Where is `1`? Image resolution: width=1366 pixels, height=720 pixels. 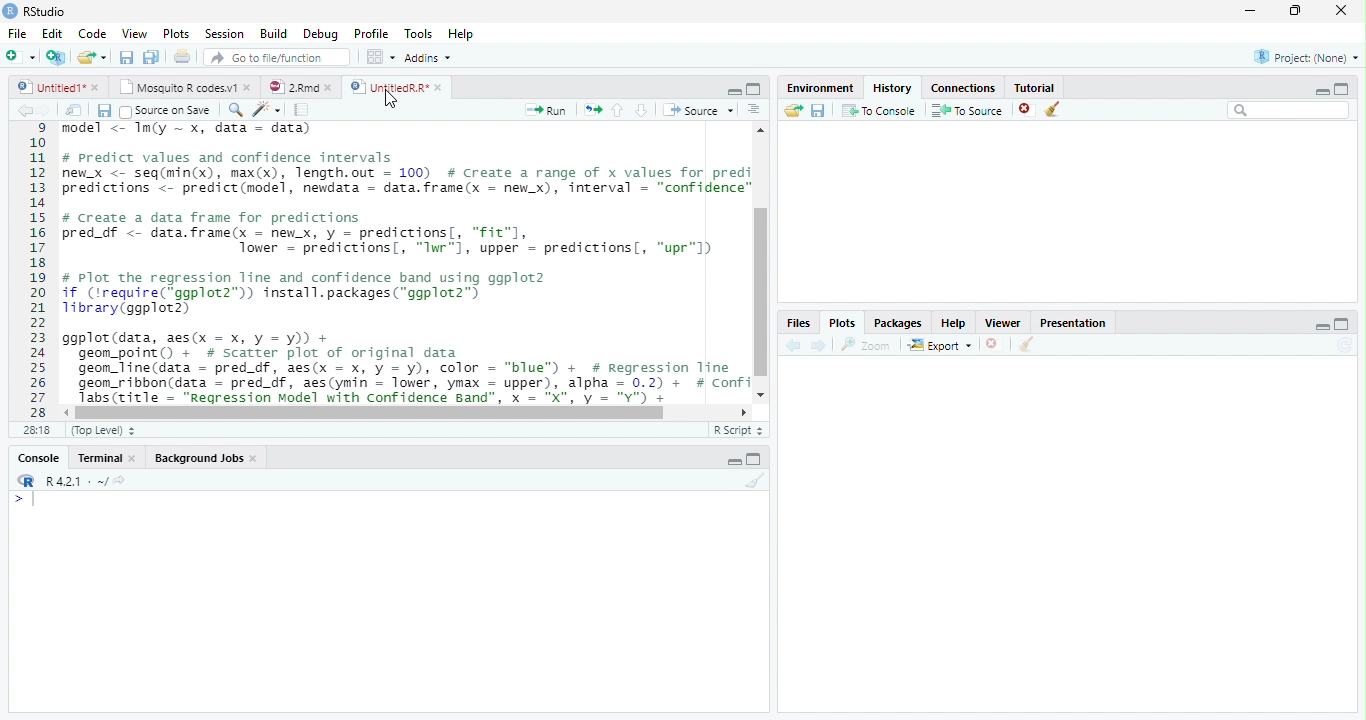
1 is located at coordinates (35, 128).